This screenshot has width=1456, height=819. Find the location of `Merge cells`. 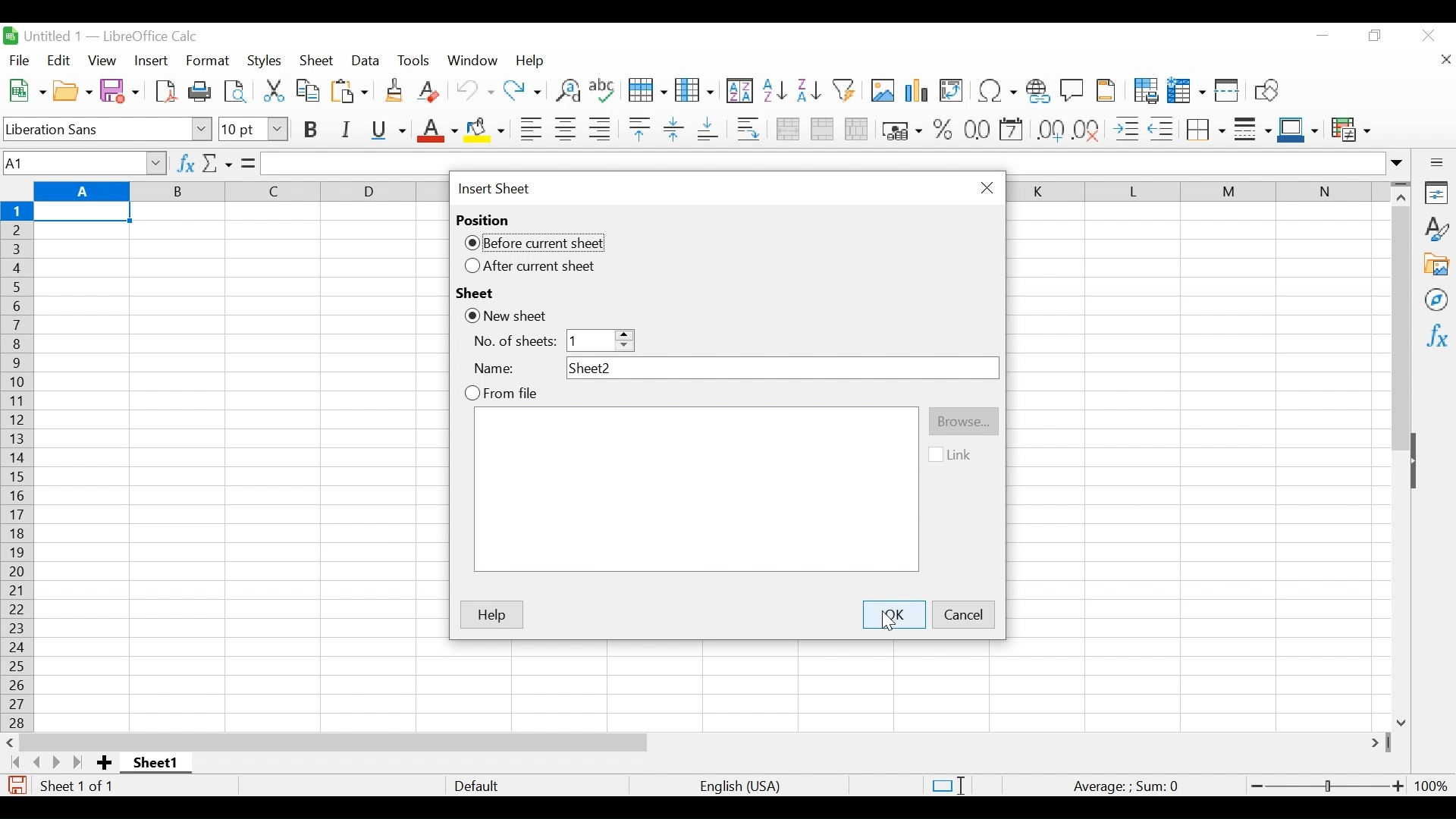

Merge cells is located at coordinates (821, 129).